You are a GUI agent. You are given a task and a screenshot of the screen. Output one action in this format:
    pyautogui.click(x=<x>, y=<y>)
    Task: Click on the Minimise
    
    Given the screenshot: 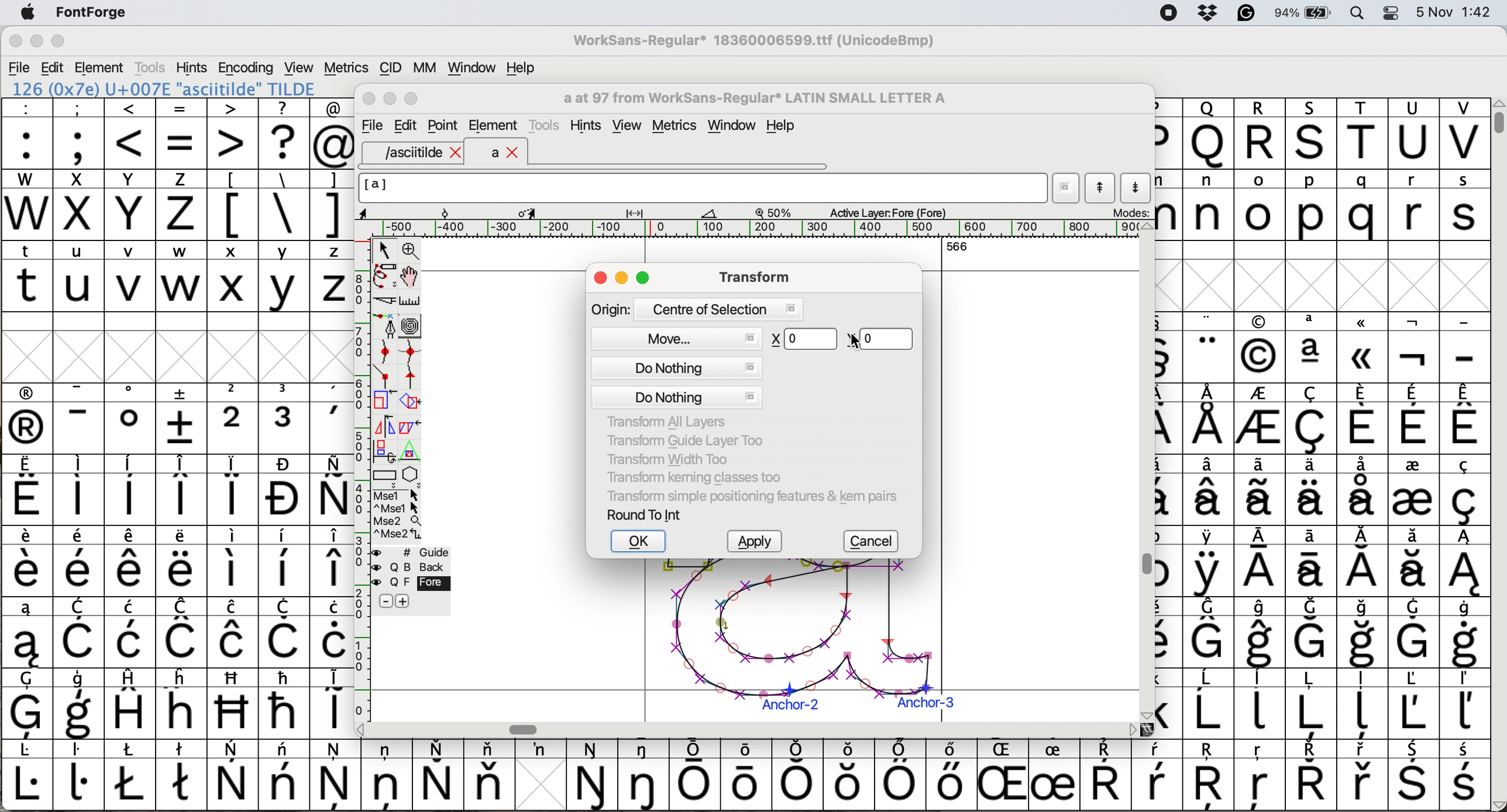 What is the action you would take?
    pyautogui.click(x=391, y=99)
    